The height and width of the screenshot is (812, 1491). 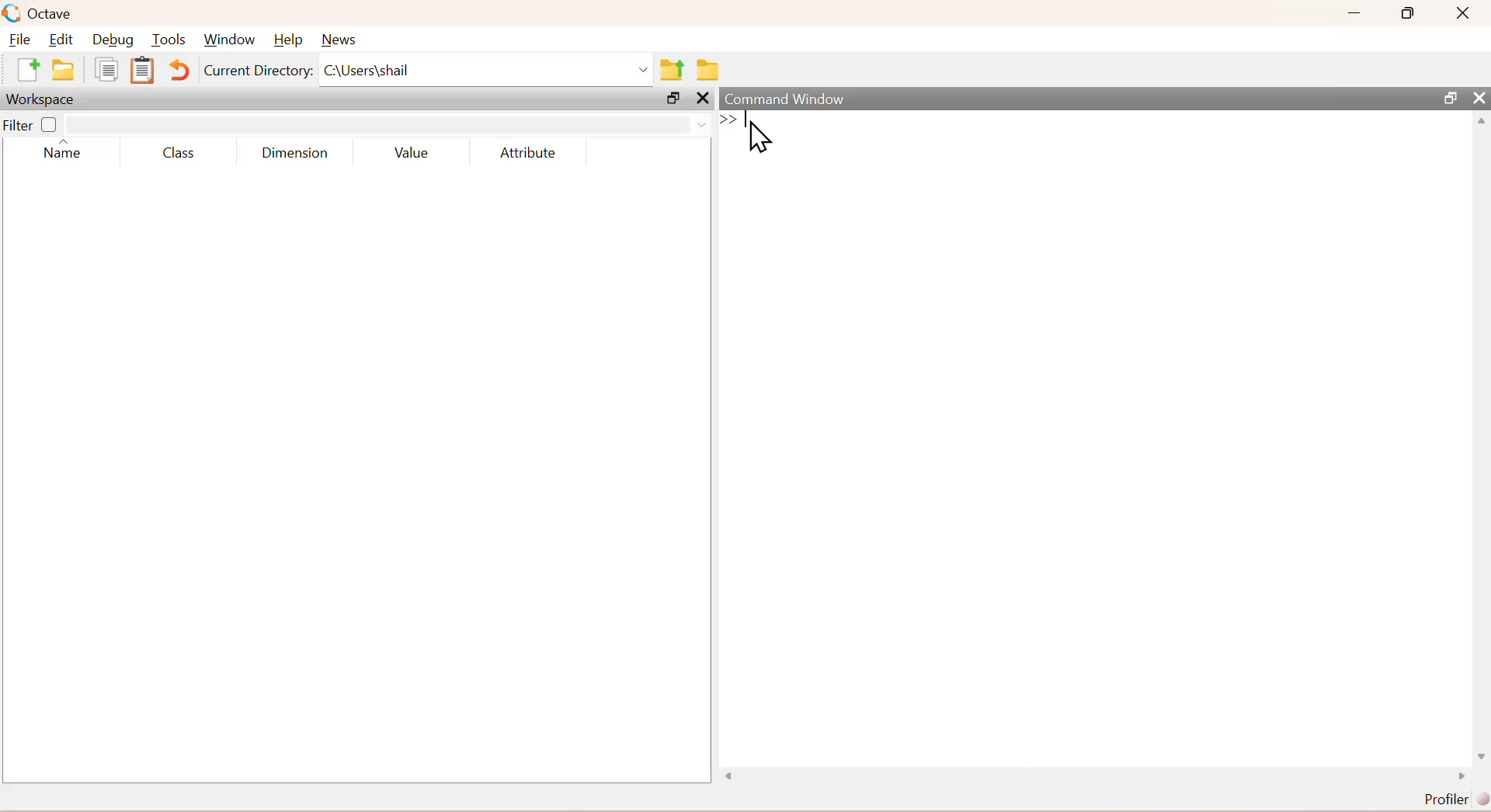 What do you see at coordinates (786, 95) in the screenshot?
I see `Command Window` at bounding box center [786, 95].